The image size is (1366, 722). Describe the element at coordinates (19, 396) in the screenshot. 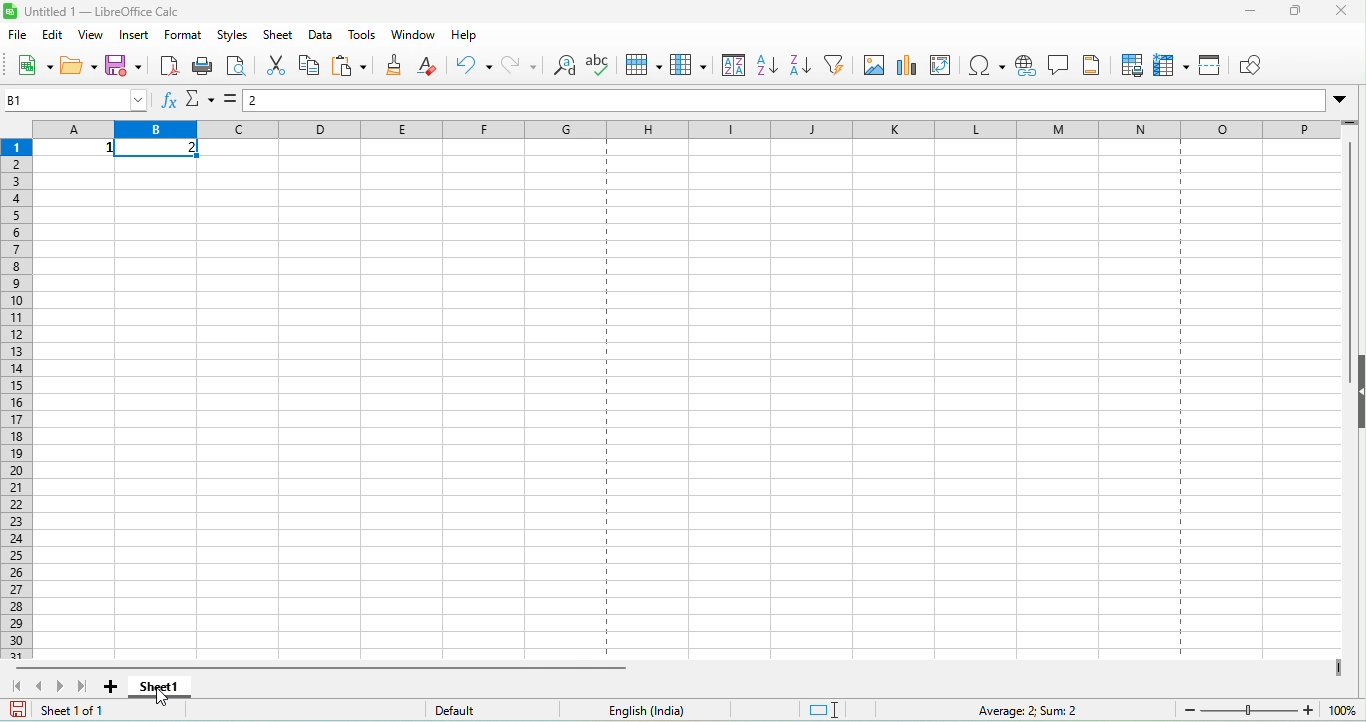

I see `rows` at that location.